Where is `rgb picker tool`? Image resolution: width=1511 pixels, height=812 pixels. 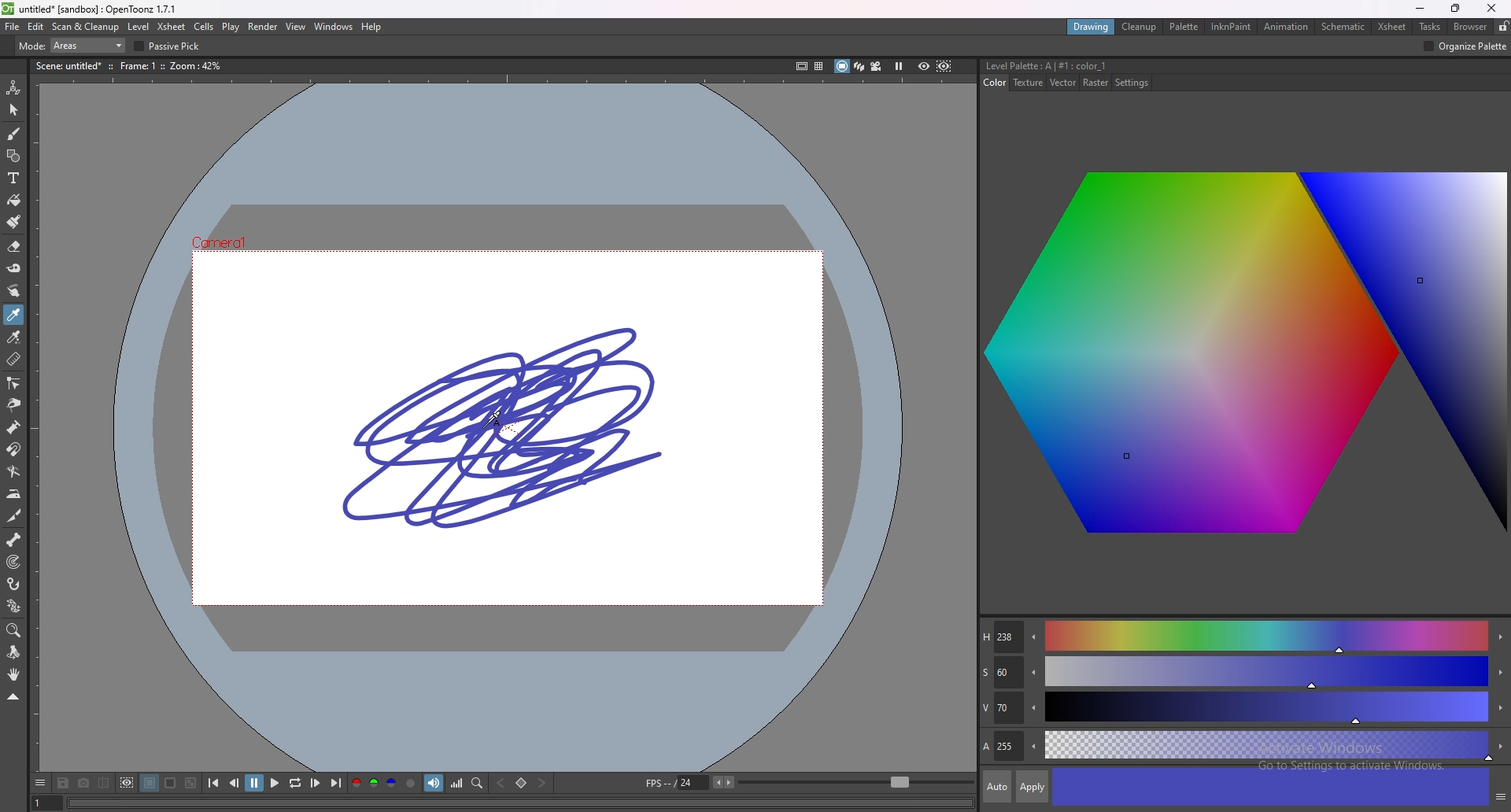 rgb picker tool is located at coordinates (14, 337).